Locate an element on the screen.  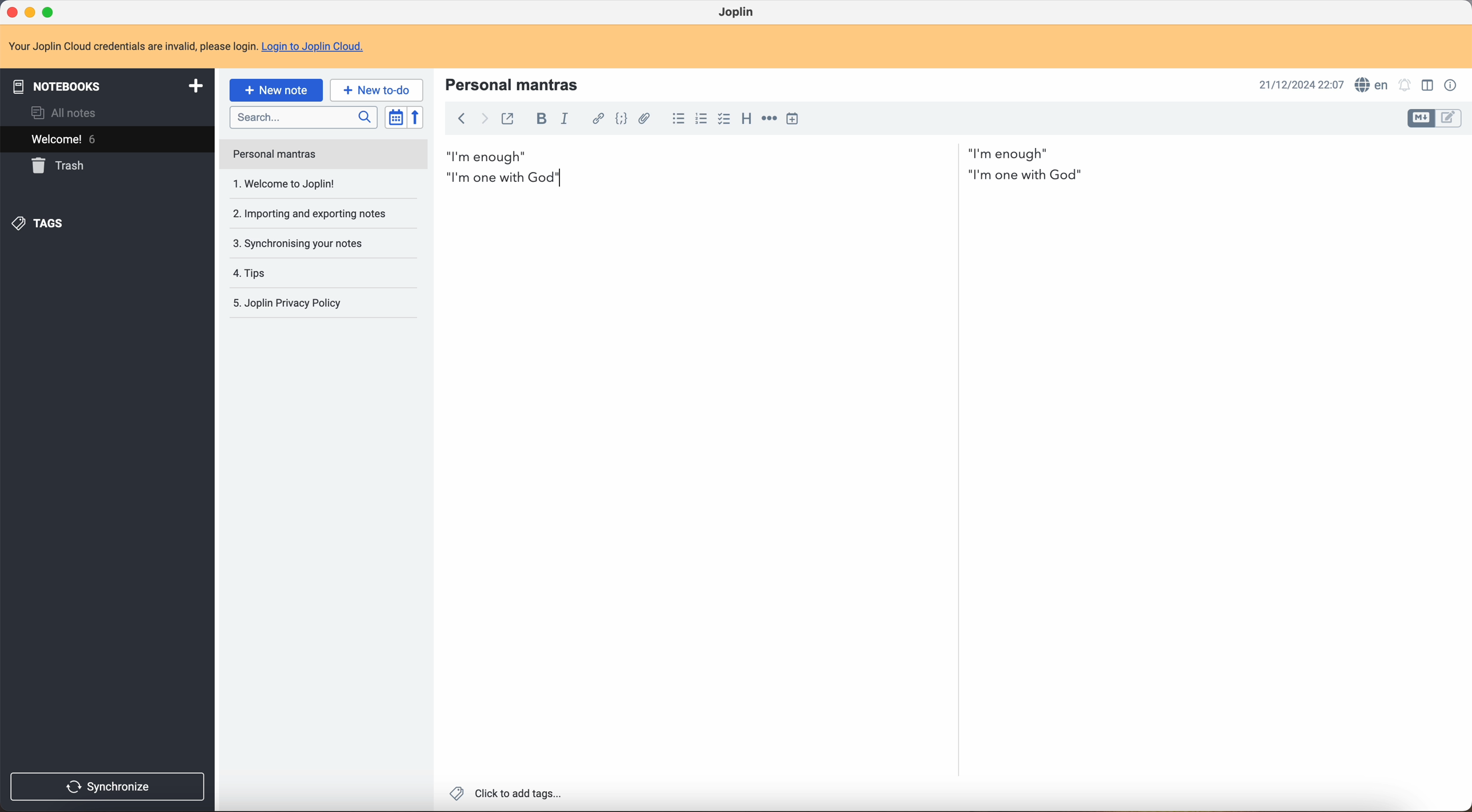
I'm enough first mantra is located at coordinates (750, 153).